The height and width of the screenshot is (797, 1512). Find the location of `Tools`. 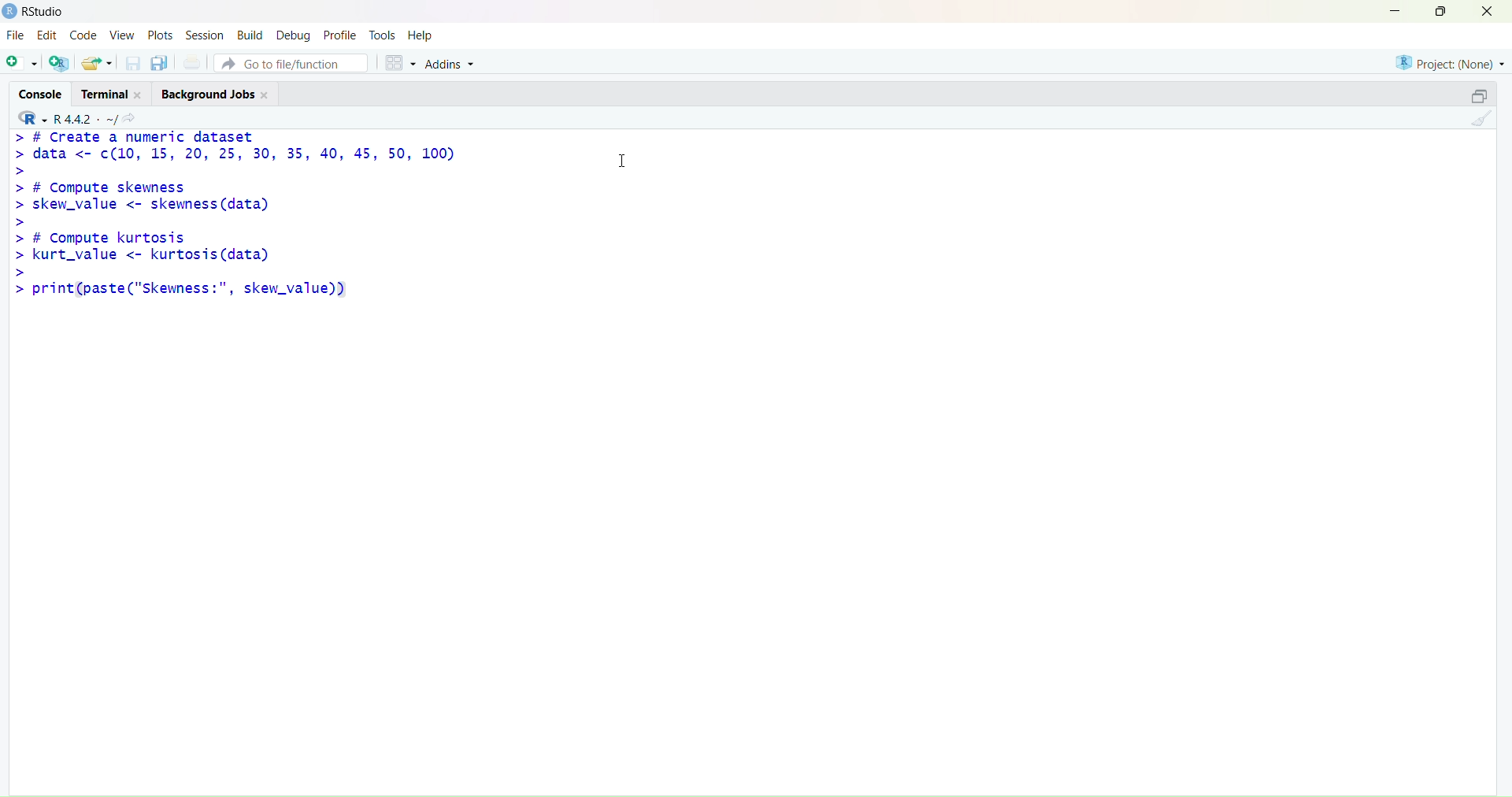

Tools is located at coordinates (383, 32).